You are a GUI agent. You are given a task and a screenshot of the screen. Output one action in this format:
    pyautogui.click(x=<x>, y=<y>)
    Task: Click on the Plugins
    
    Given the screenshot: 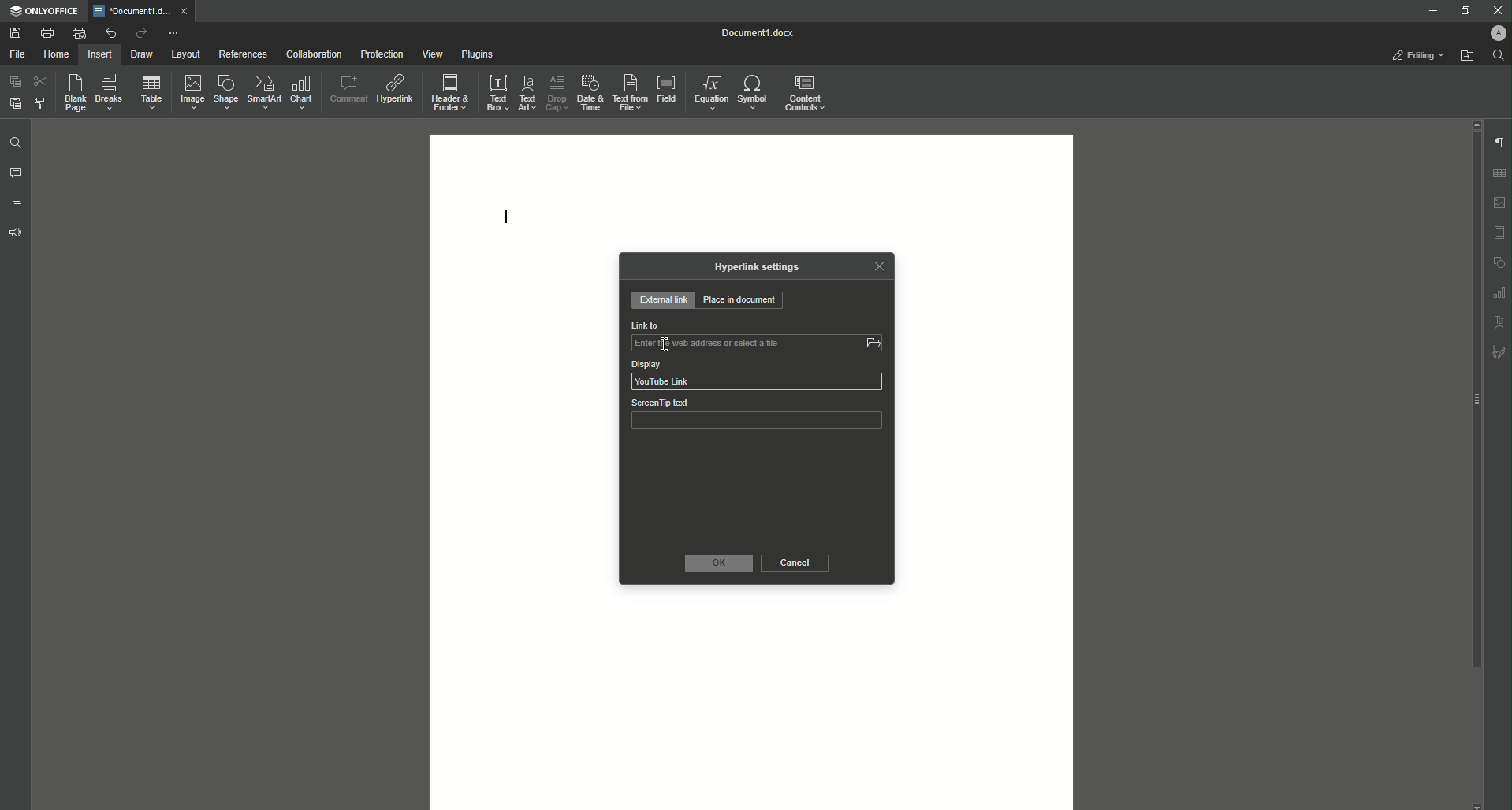 What is the action you would take?
    pyautogui.click(x=476, y=53)
    